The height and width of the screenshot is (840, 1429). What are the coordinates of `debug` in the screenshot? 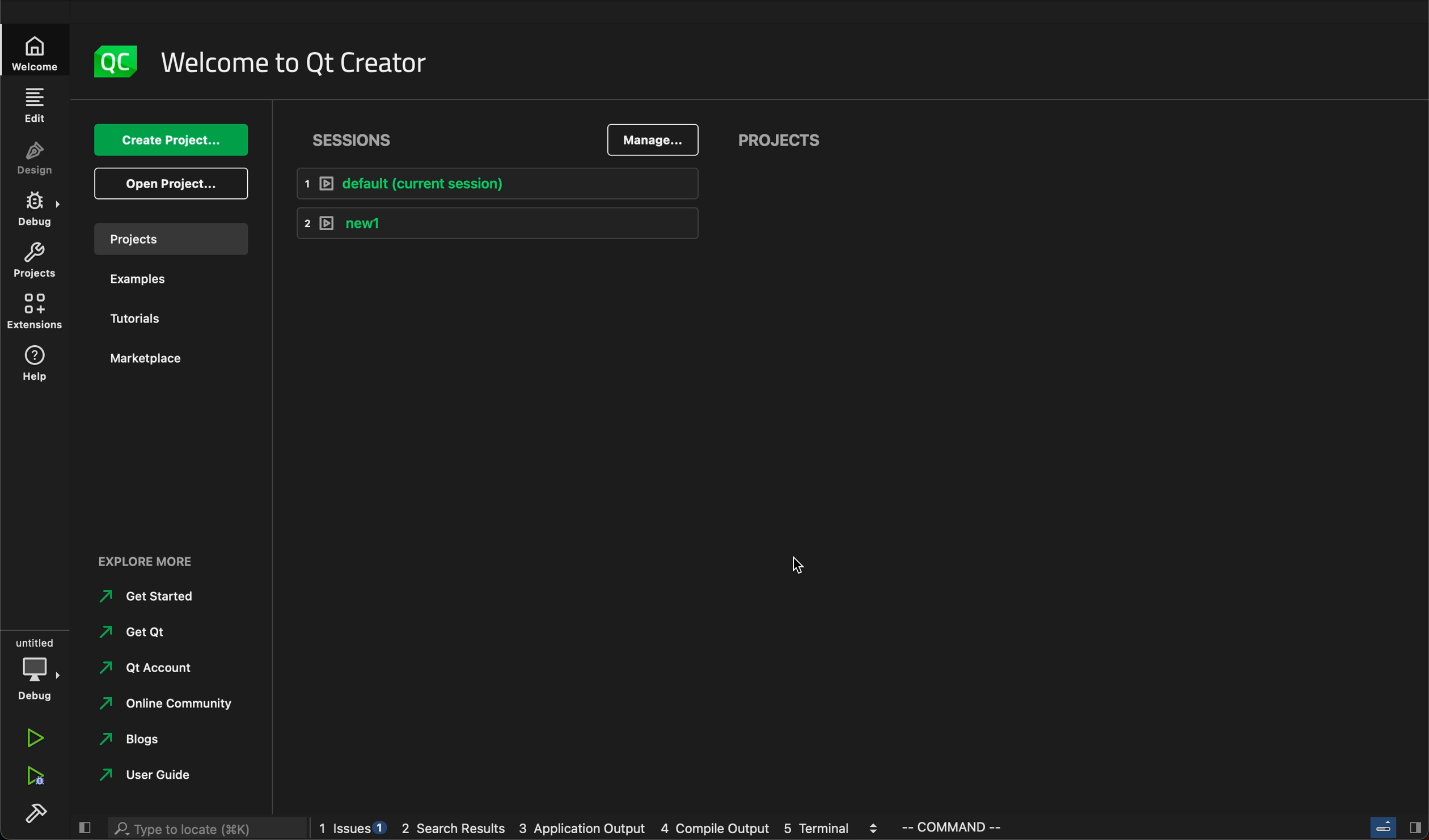 It's located at (36, 667).